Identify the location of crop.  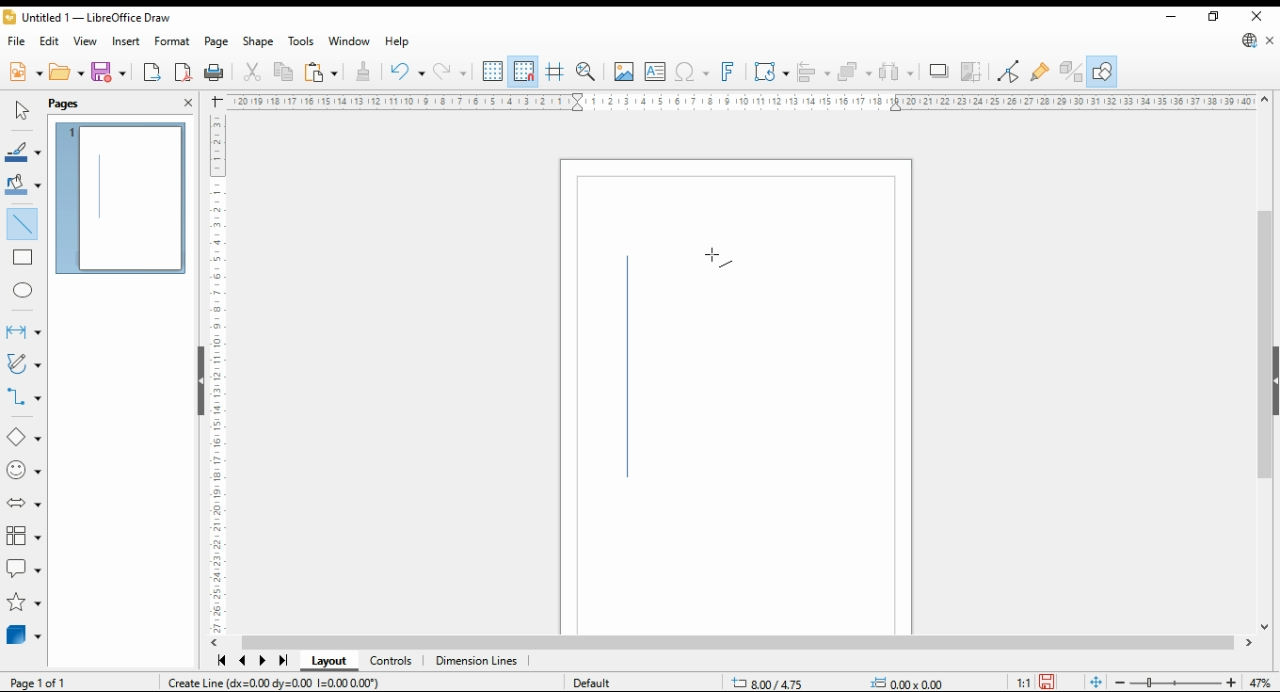
(972, 71).